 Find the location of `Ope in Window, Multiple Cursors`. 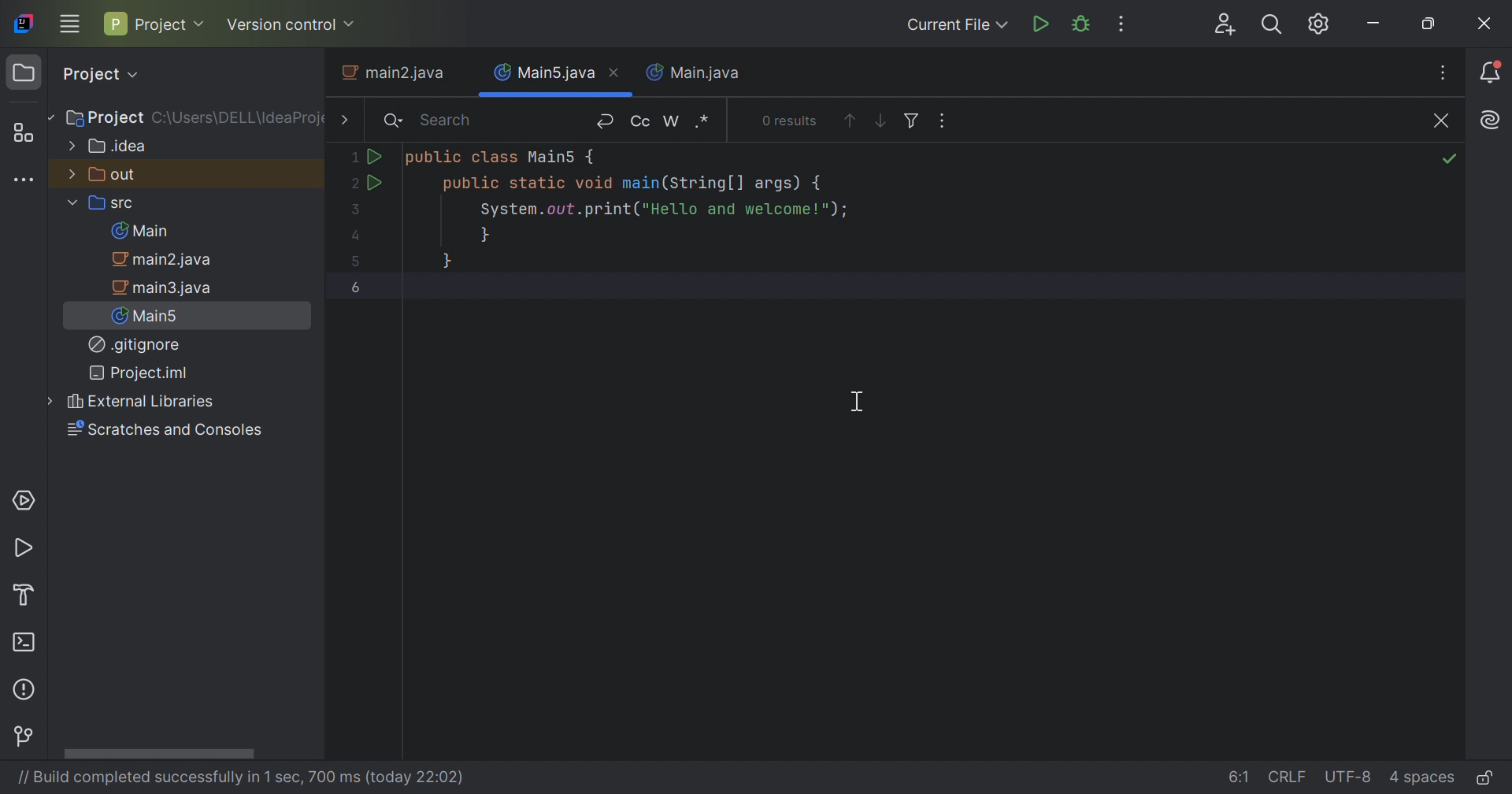

Ope in Window, Multiple Cursors is located at coordinates (946, 118).